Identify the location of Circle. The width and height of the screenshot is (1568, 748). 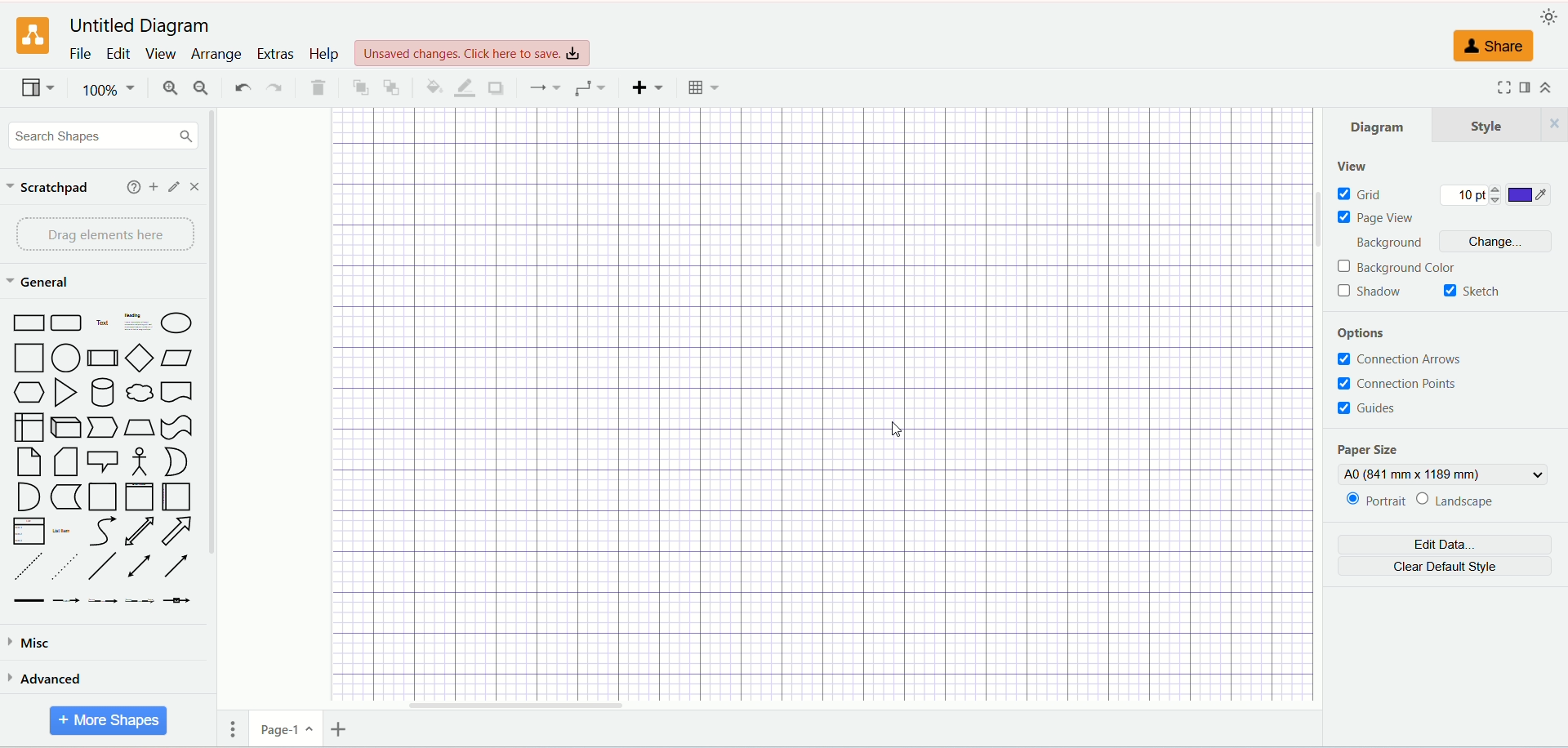
(68, 359).